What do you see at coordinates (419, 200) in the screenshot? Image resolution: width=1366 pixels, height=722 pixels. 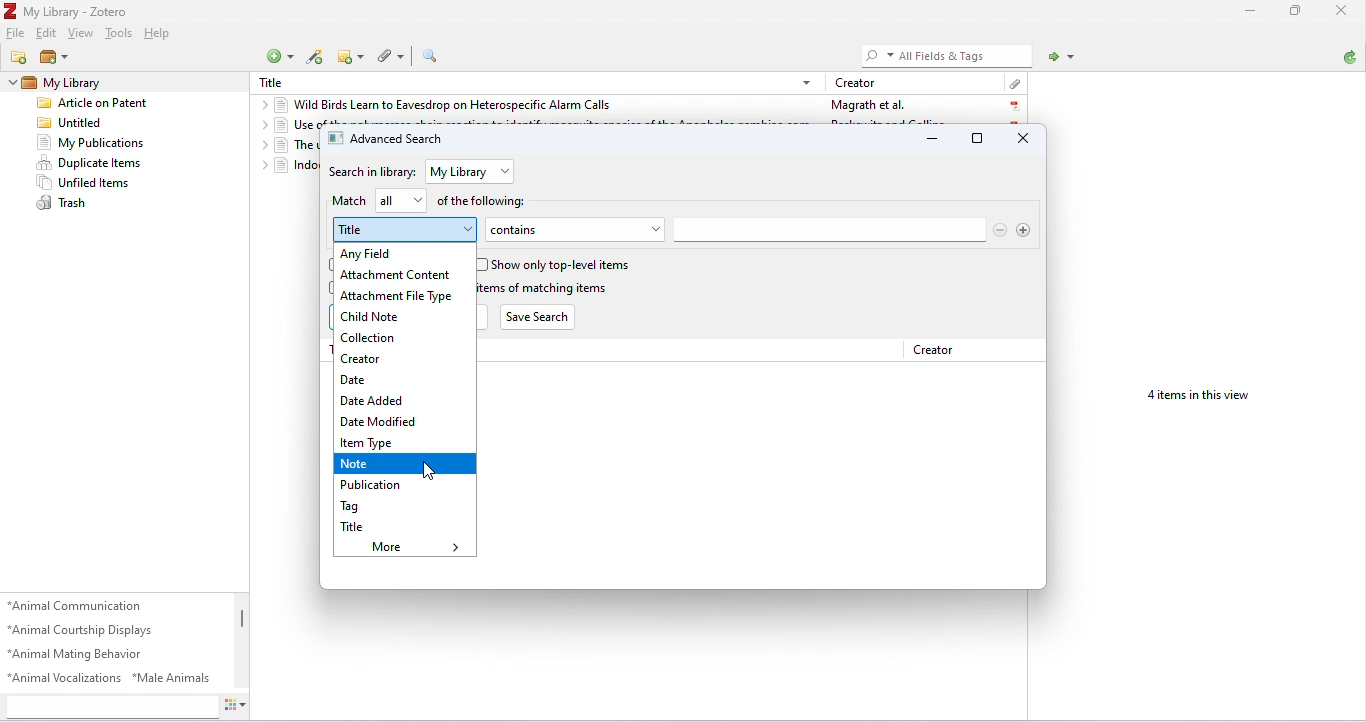 I see `drop-down` at bounding box center [419, 200].